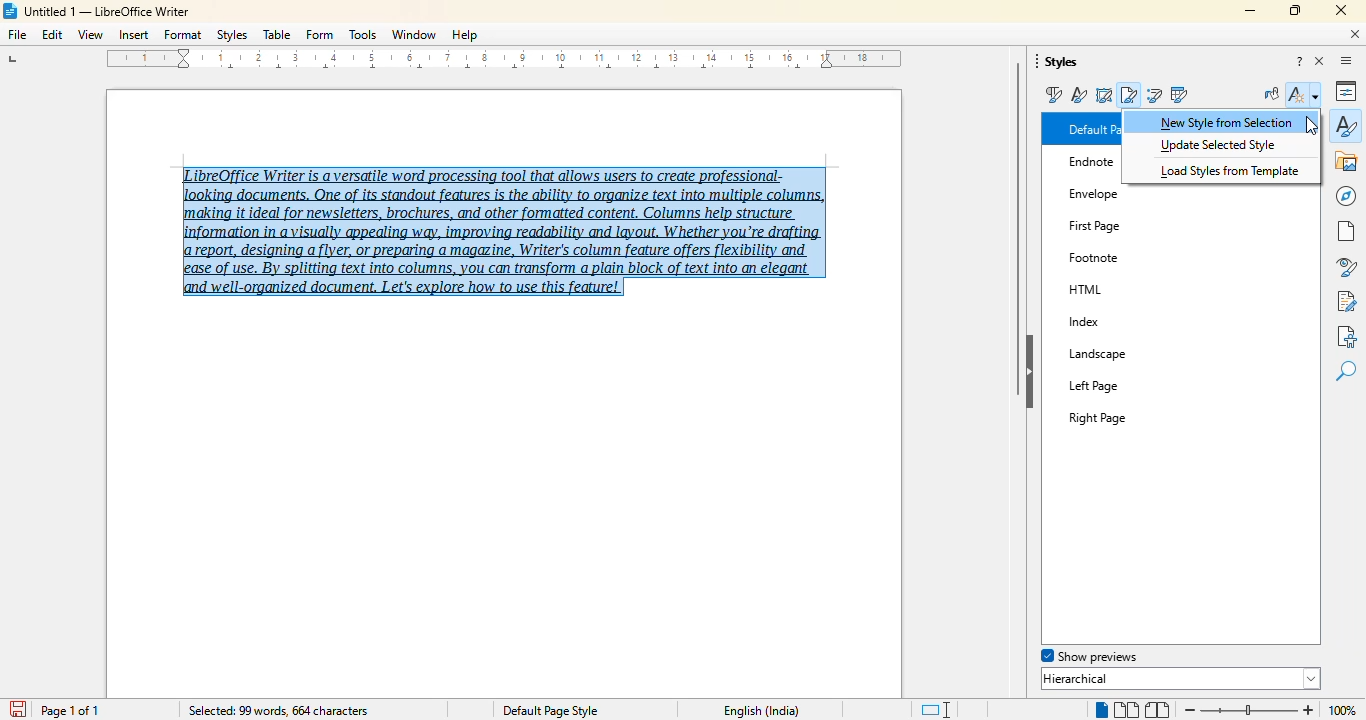 The width and height of the screenshot is (1366, 720). I want to click on Envelope, so click(1096, 190).